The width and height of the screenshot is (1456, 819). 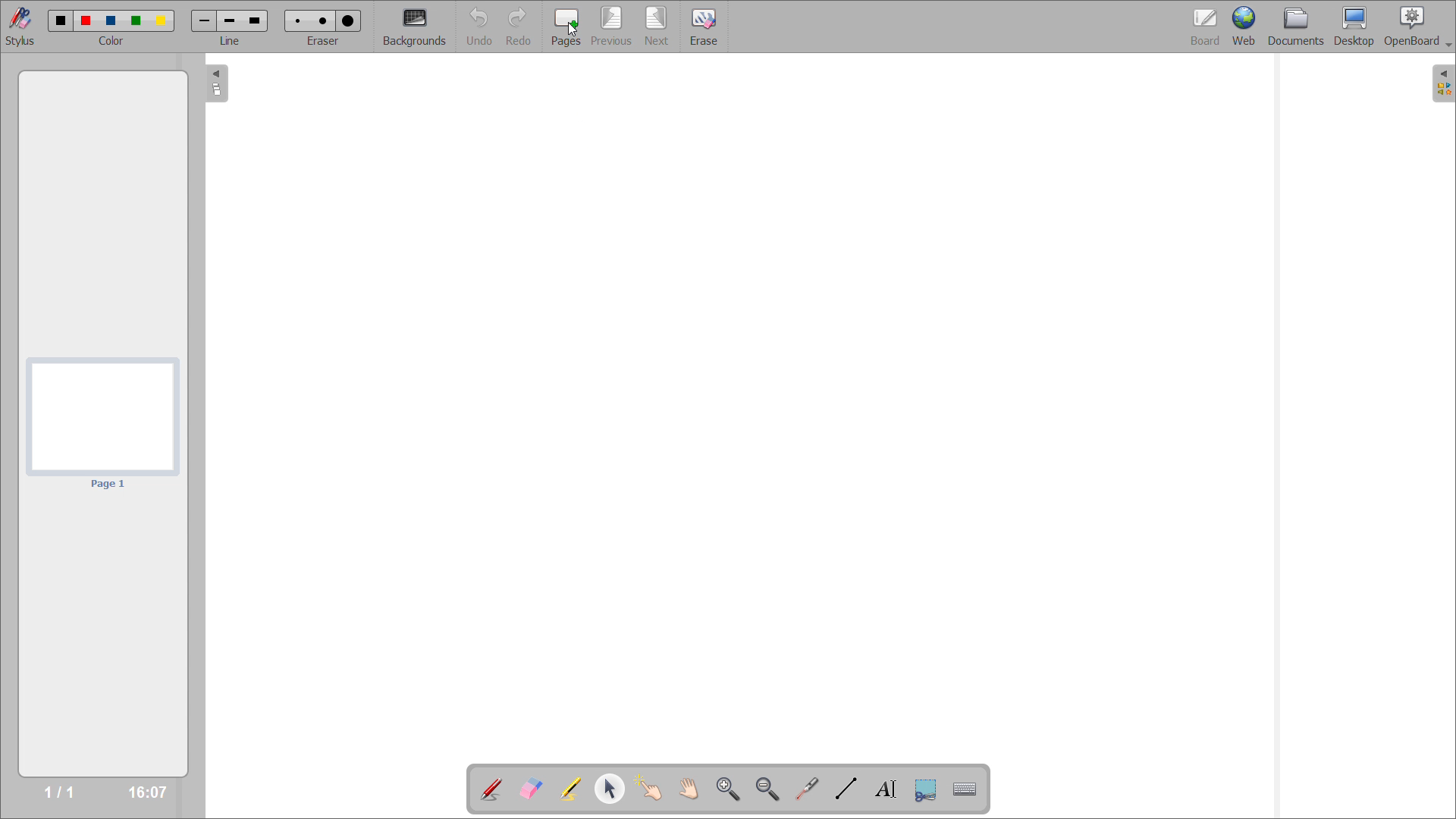 I want to click on board, so click(x=1204, y=27).